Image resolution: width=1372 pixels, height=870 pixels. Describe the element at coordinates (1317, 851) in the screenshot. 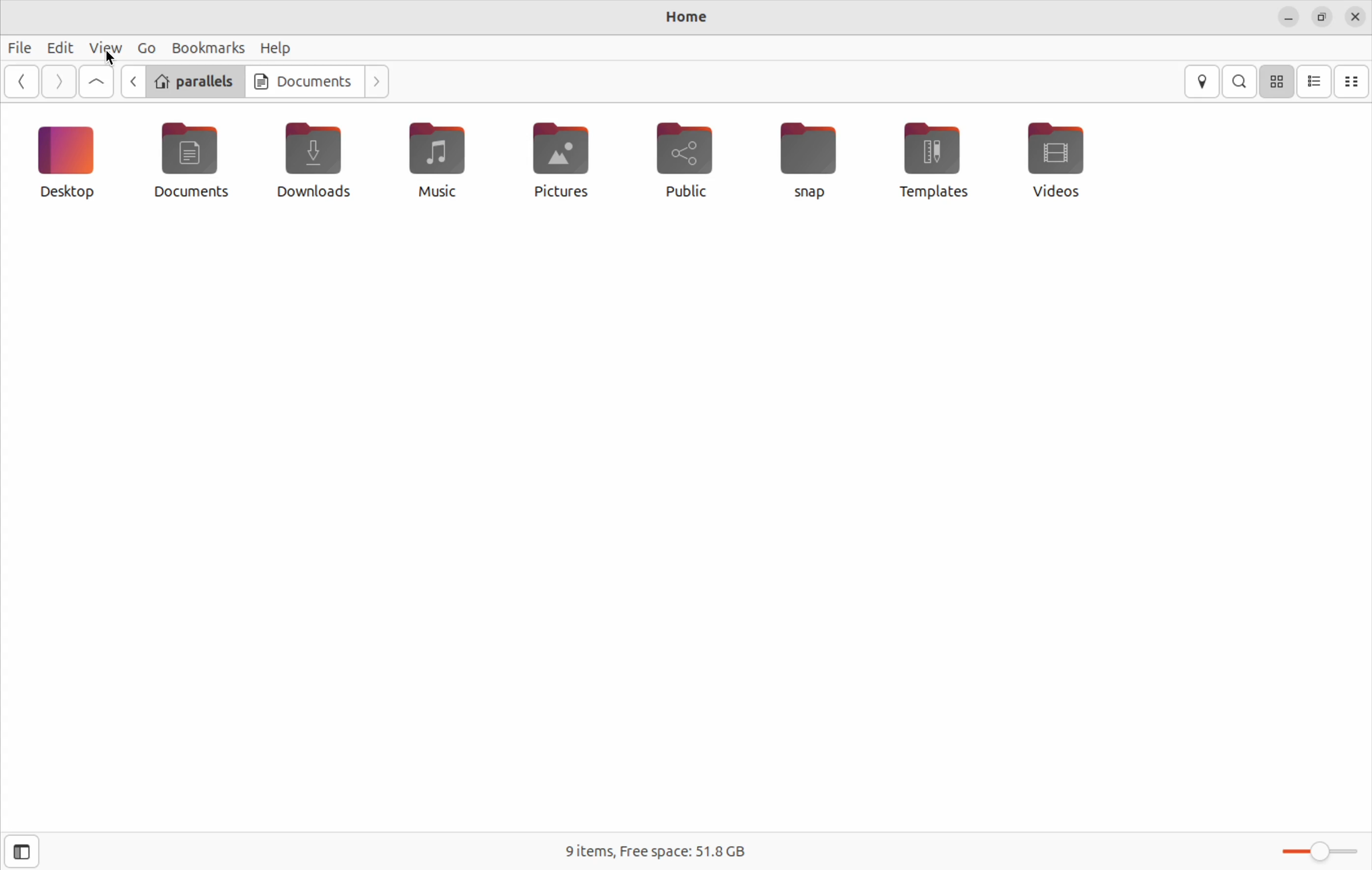

I see `toggle bar` at that location.